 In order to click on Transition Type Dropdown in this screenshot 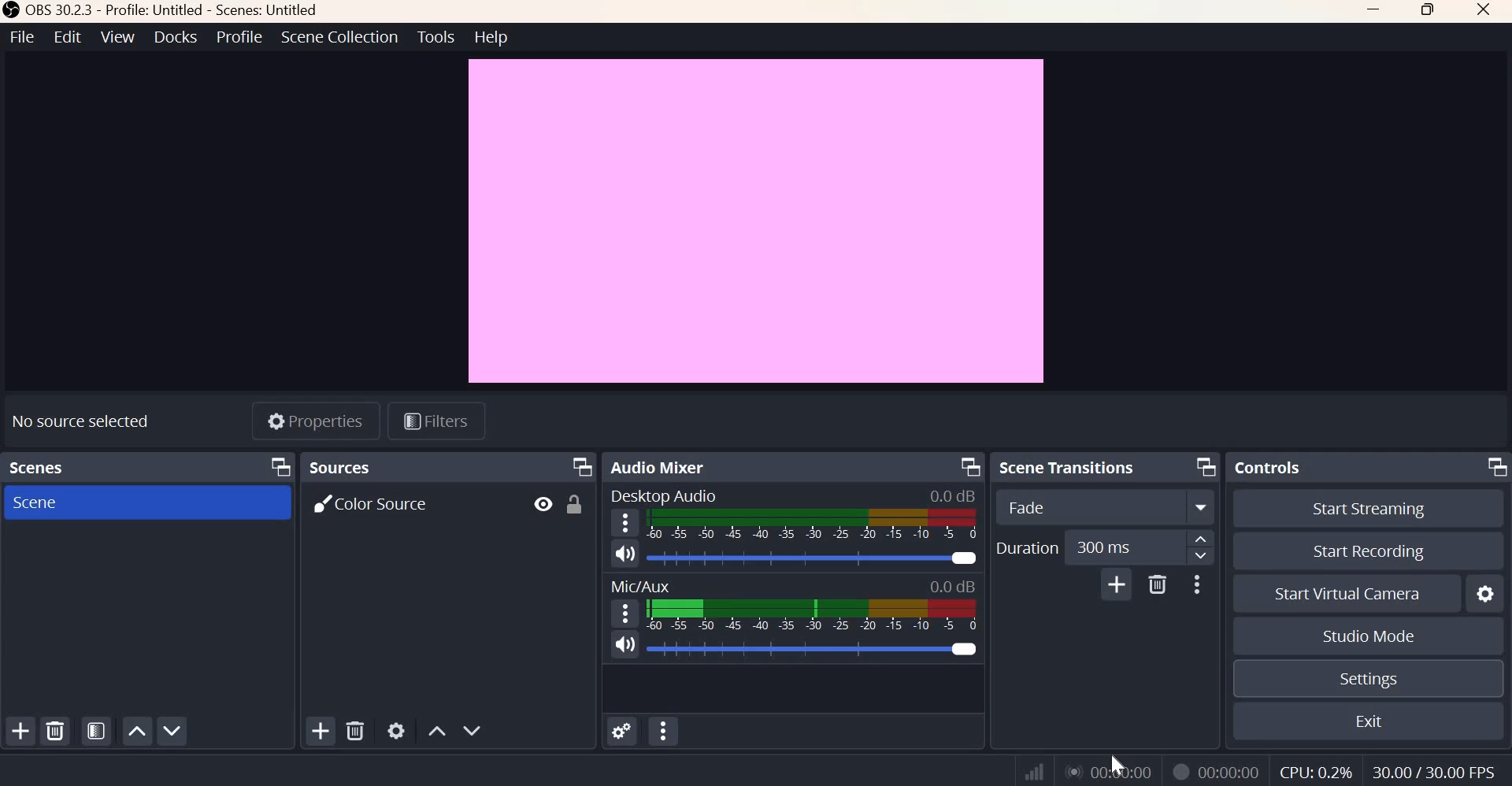, I will do `click(1102, 509)`.